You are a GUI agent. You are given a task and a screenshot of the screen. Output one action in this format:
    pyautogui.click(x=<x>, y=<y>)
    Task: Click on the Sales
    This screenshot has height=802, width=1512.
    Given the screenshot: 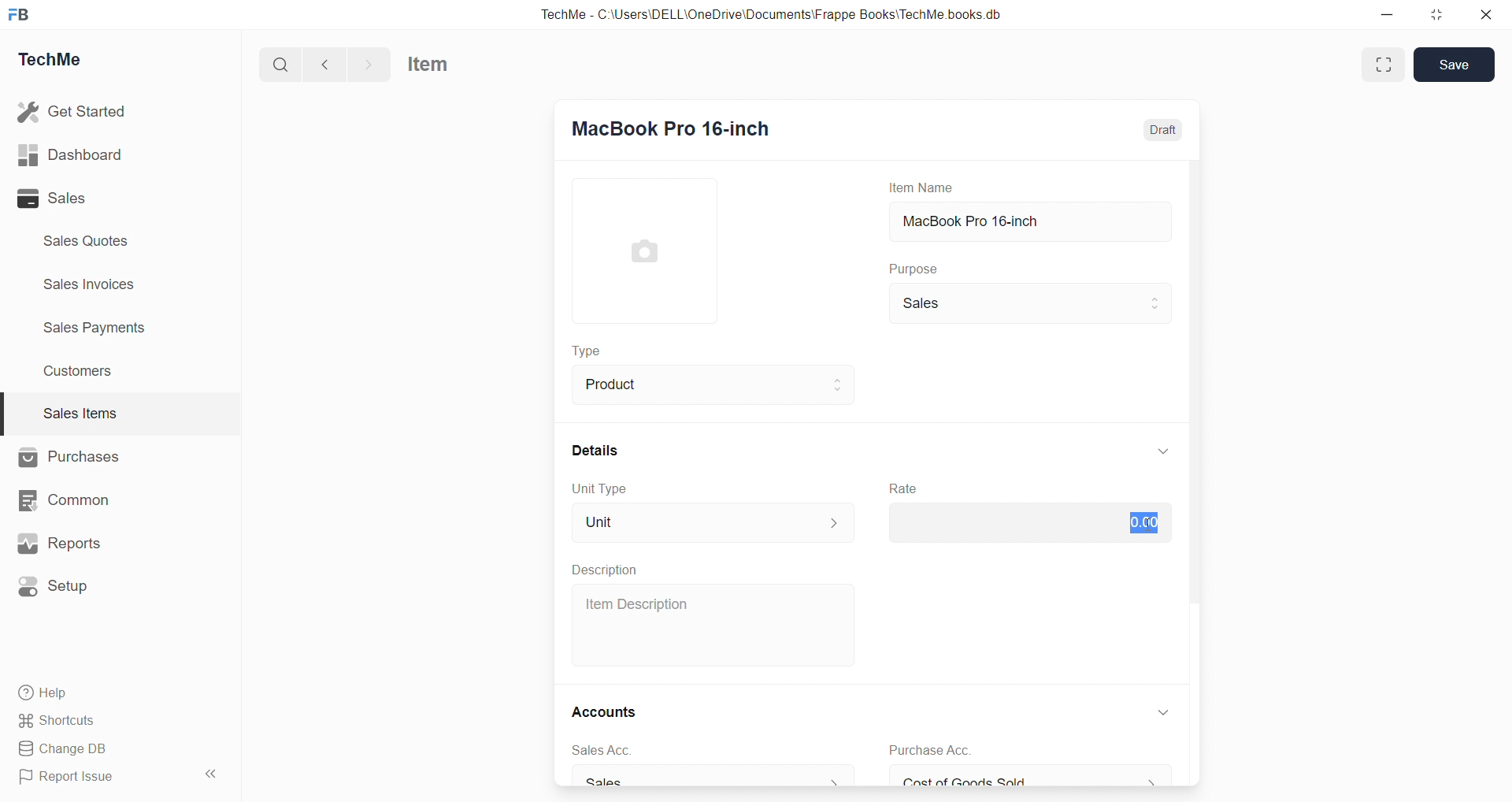 What is the action you would take?
    pyautogui.click(x=712, y=775)
    